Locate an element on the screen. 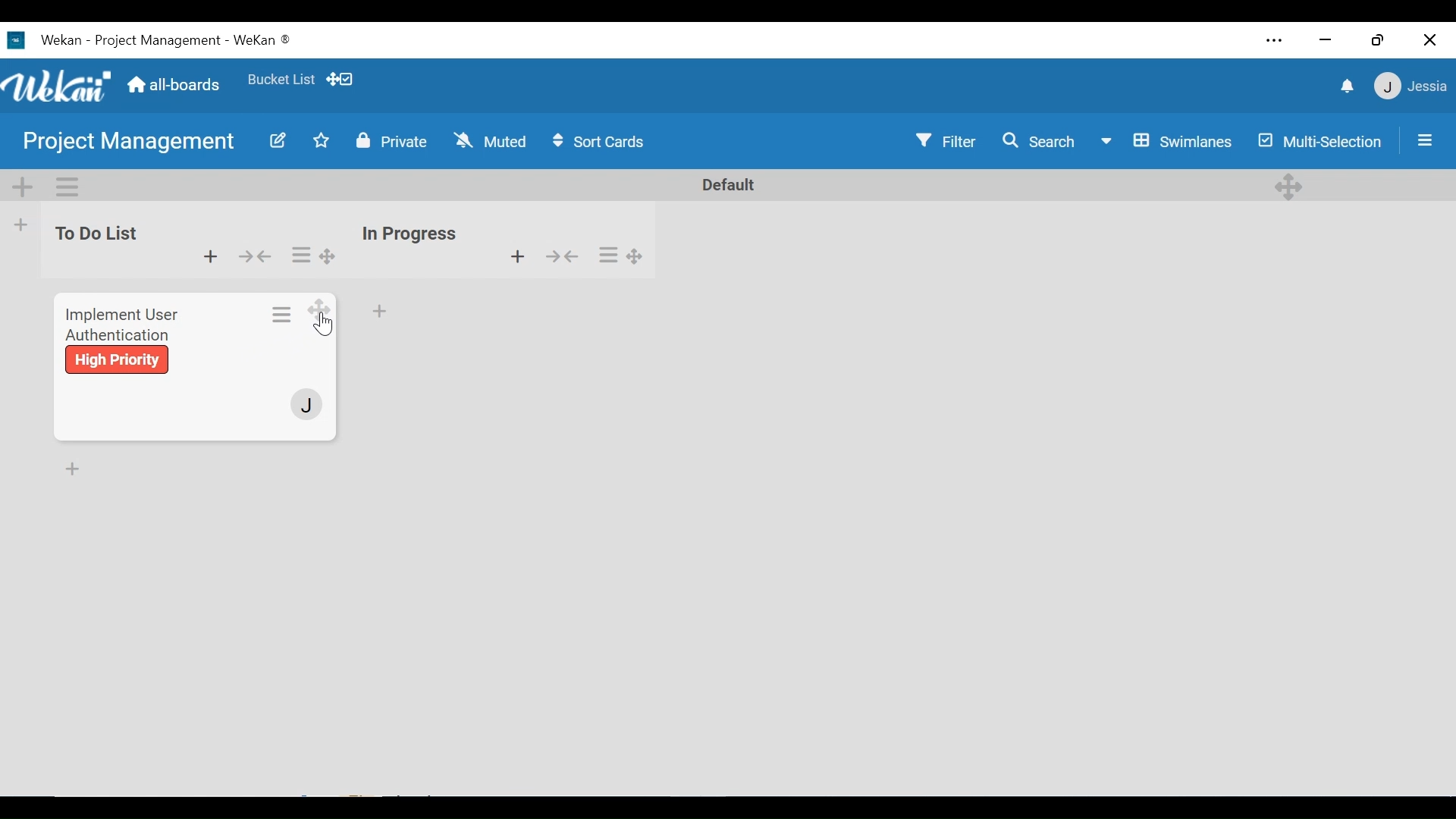 The image size is (1456, 819). toggle favorites is located at coordinates (319, 142).